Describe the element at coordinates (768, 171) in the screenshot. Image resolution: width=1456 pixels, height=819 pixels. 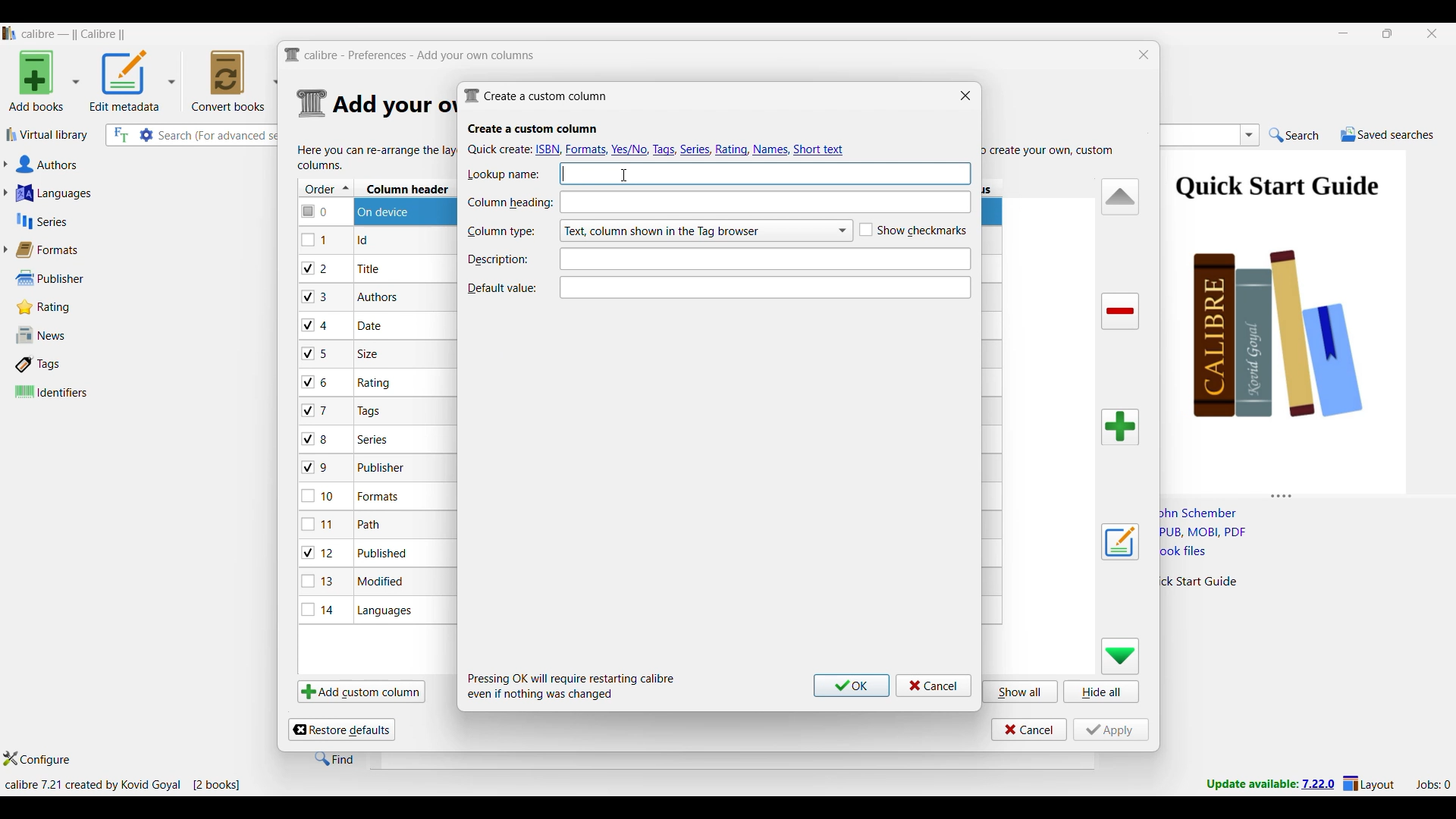
I see `text` at that location.